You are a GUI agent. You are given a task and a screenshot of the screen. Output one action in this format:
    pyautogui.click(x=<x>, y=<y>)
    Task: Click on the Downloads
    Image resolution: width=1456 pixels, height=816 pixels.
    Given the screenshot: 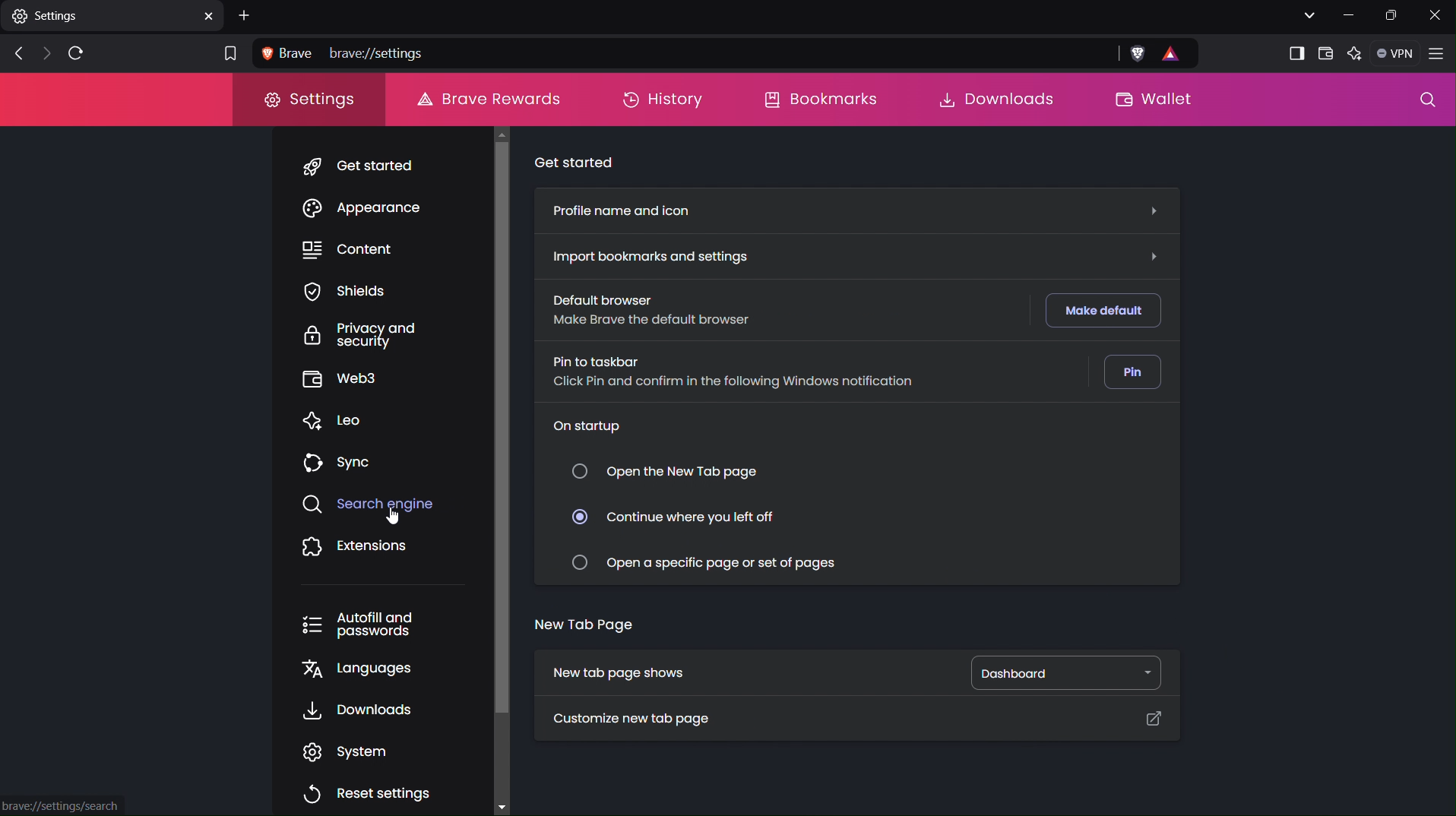 What is the action you would take?
    pyautogui.click(x=989, y=99)
    